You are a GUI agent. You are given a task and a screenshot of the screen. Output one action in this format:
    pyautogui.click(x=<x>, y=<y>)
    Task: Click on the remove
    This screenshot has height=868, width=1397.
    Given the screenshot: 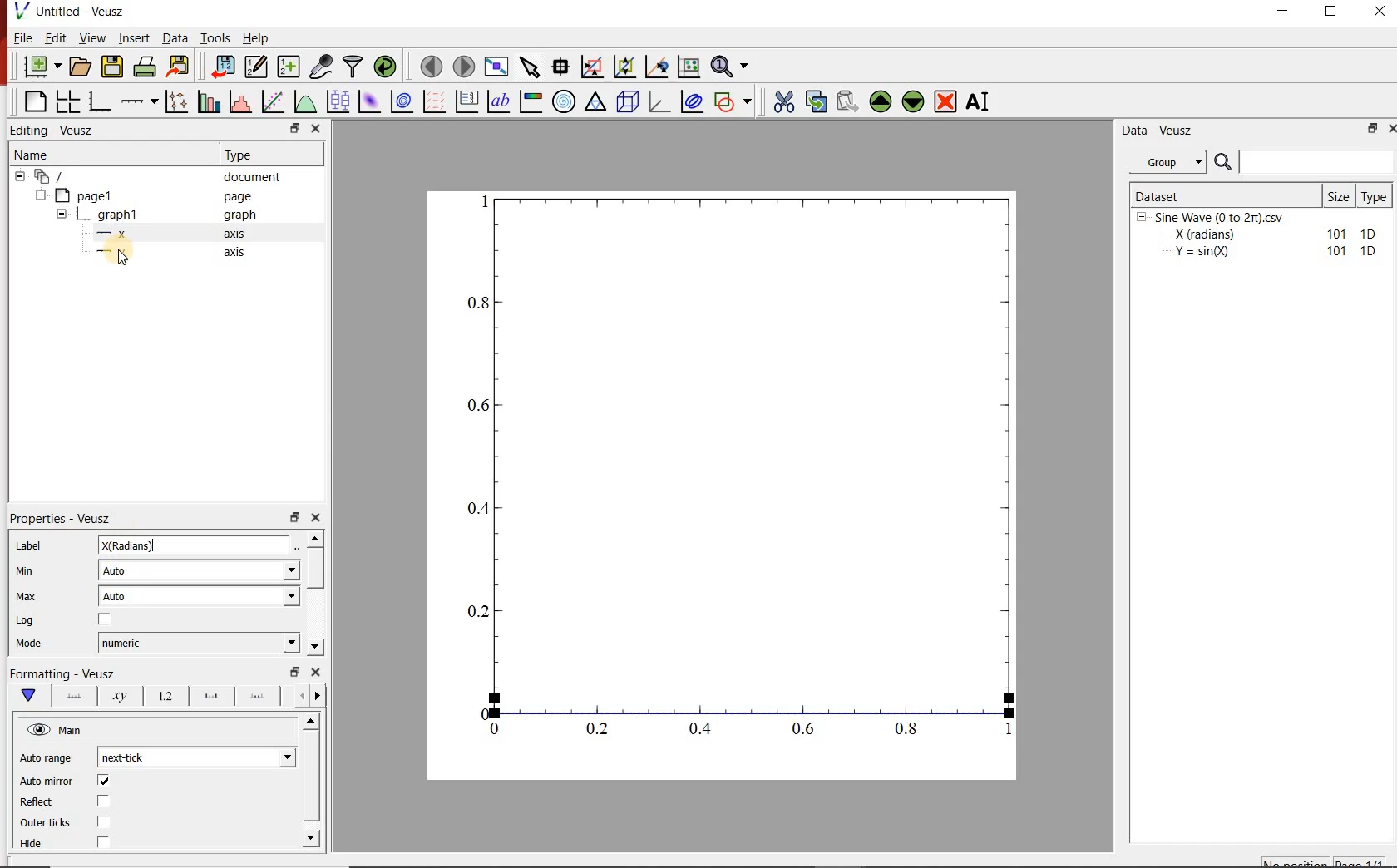 What is the action you would take?
    pyautogui.click(x=945, y=101)
    